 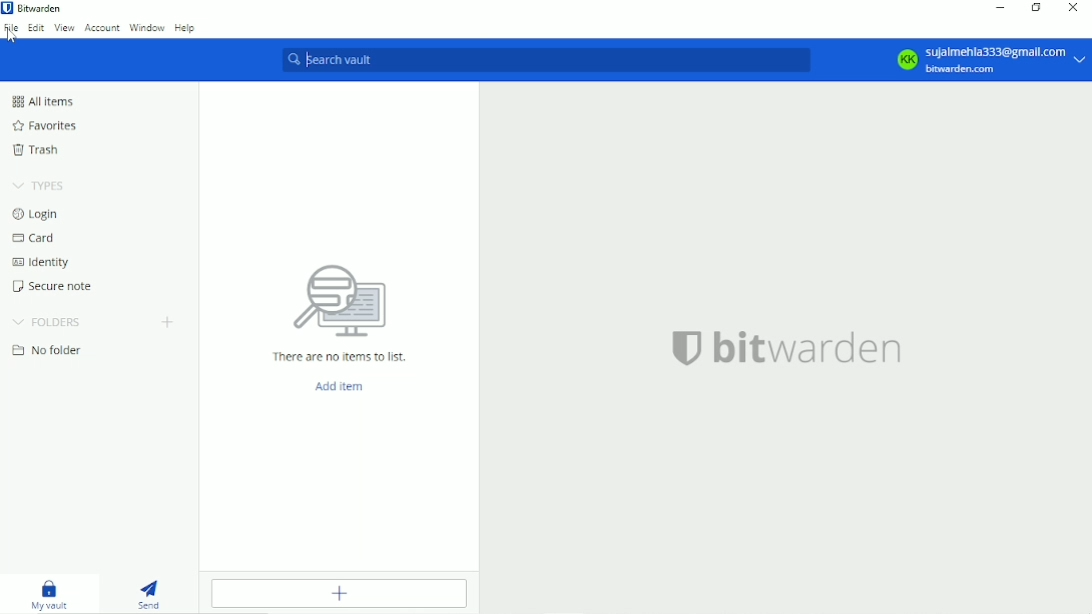 I want to click on No folder, so click(x=47, y=350).